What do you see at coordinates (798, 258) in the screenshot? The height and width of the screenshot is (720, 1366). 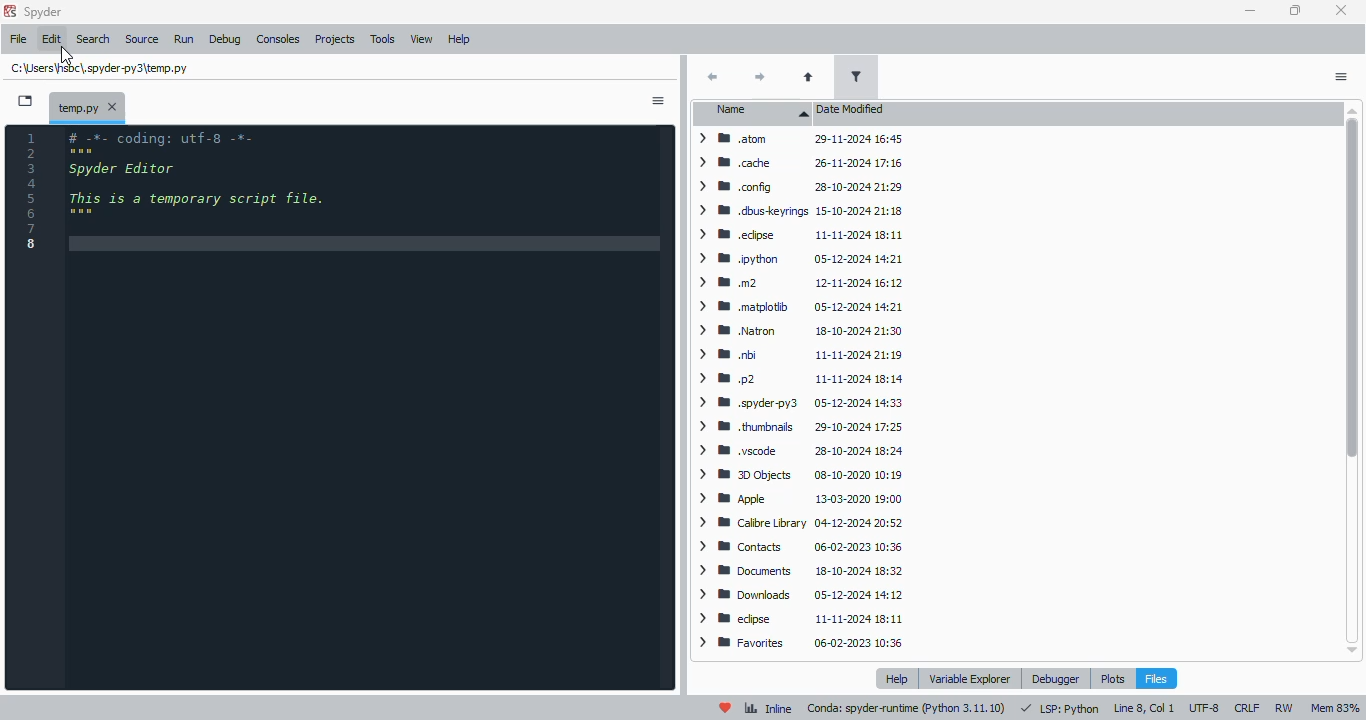 I see `> BW python 05-12-2024 14:21` at bounding box center [798, 258].